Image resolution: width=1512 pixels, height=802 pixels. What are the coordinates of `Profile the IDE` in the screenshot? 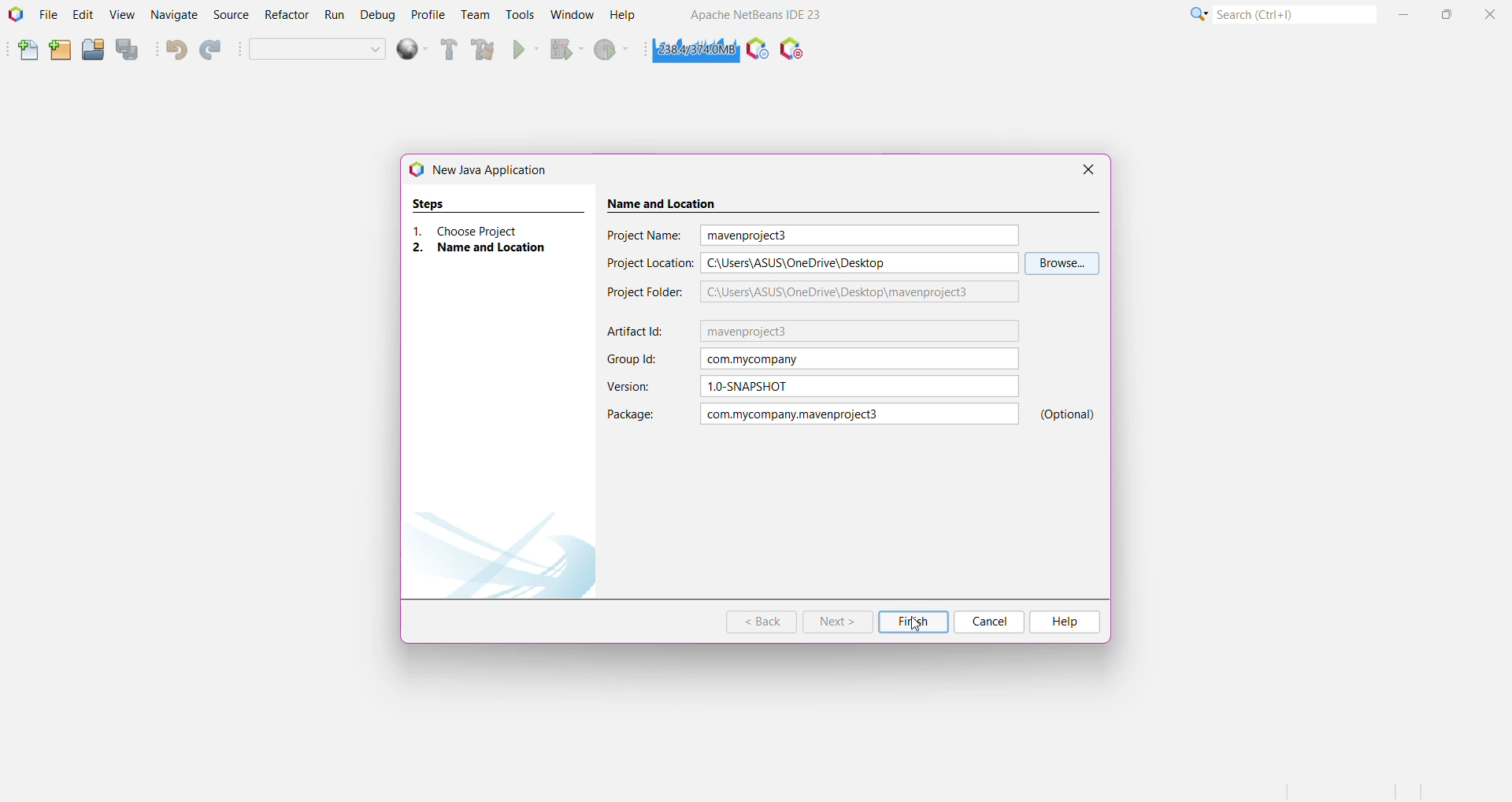 It's located at (757, 51).